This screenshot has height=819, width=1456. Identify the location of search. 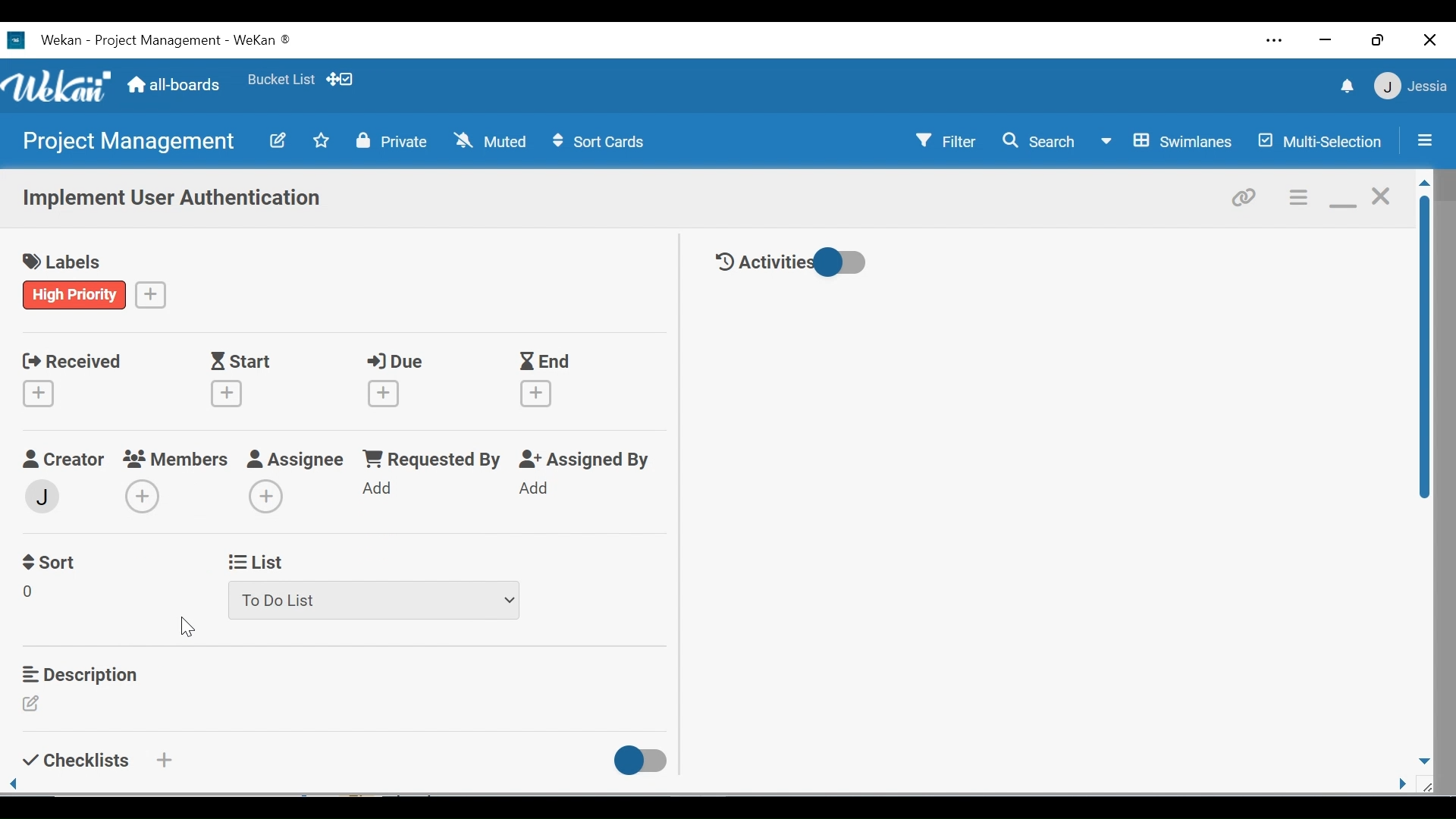
(1038, 142).